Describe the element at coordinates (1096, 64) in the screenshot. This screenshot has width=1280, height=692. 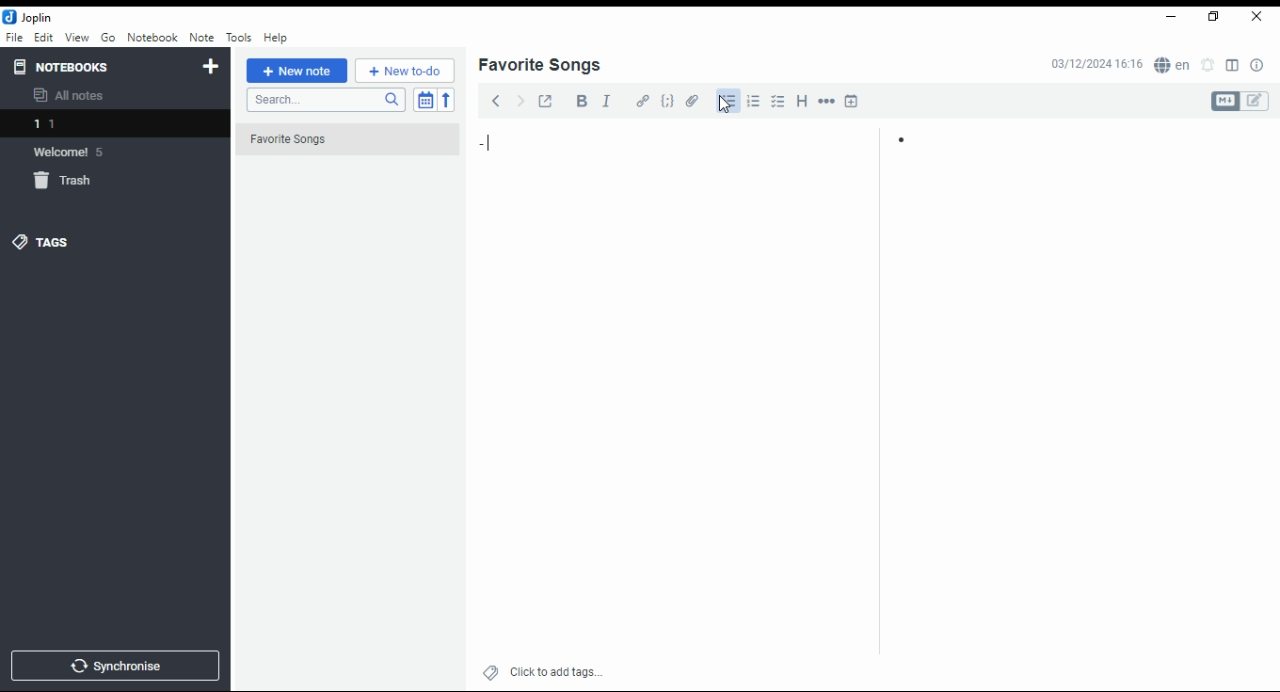
I see `03/12/2024 16:16` at that location.